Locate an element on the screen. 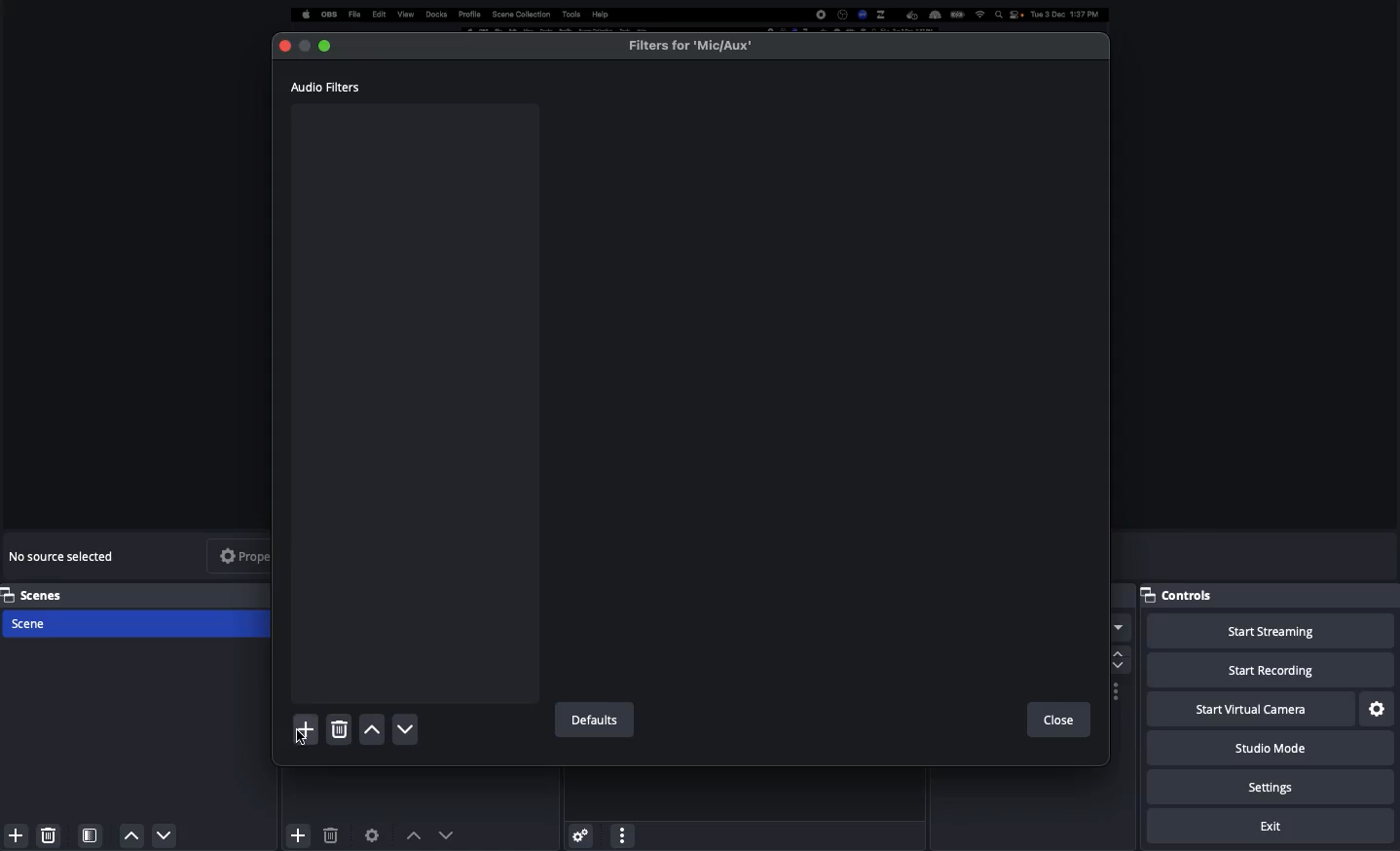 Image resolution: width=1400 pixels, height=851 pixels. Source preferences  is located at coordinates (374, 833).